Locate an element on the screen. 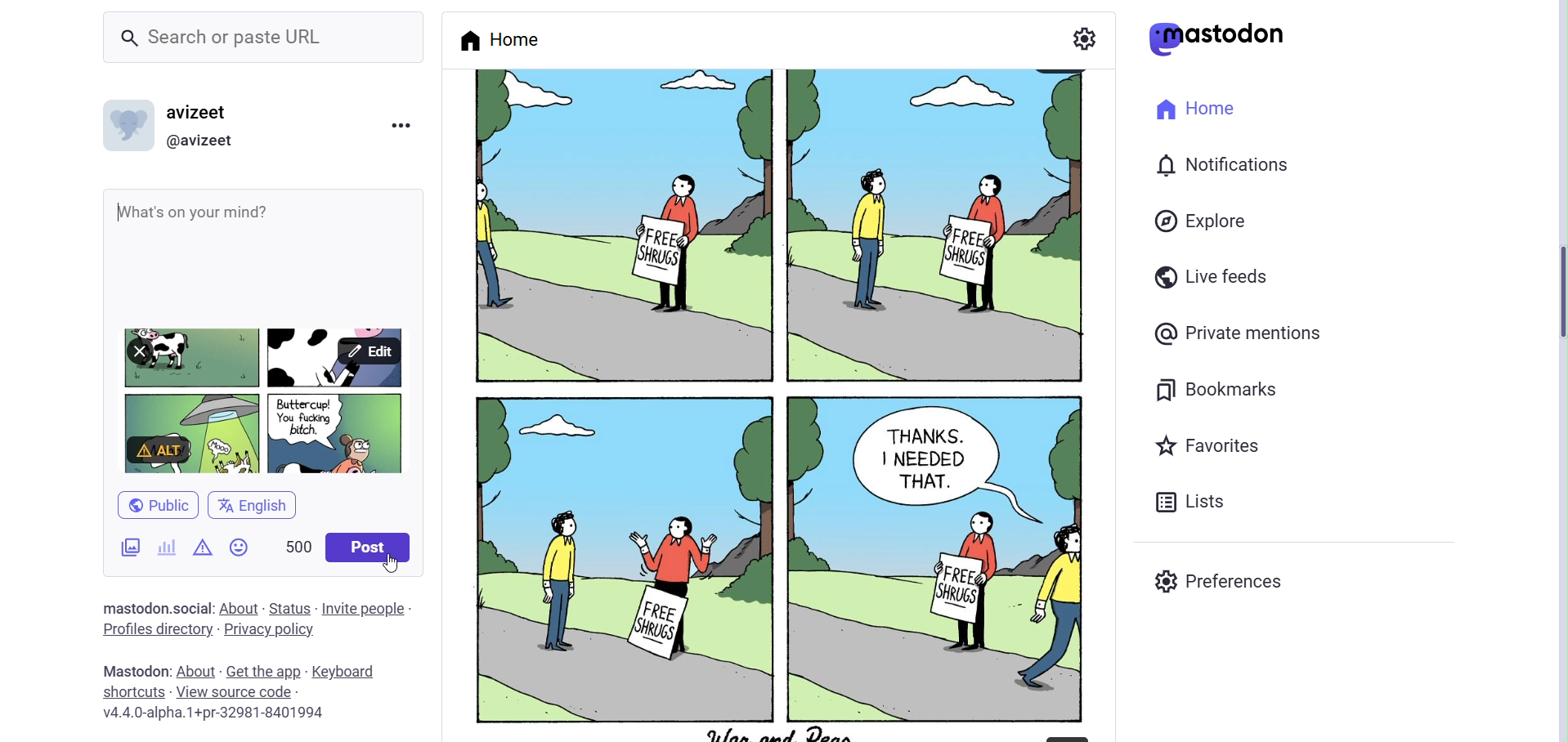 The image size is (1568, 742). Profile Picture is located at coordinates (128, 124).